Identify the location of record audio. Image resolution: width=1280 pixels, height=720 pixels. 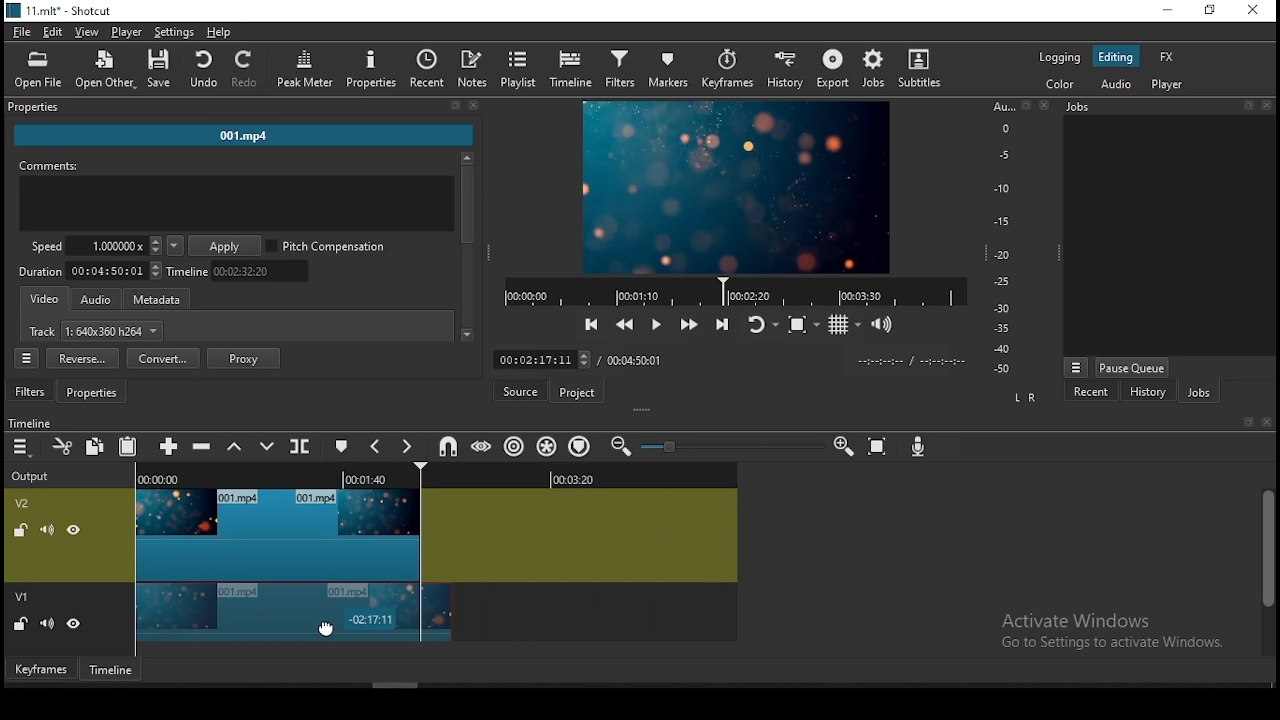
(920, 448).